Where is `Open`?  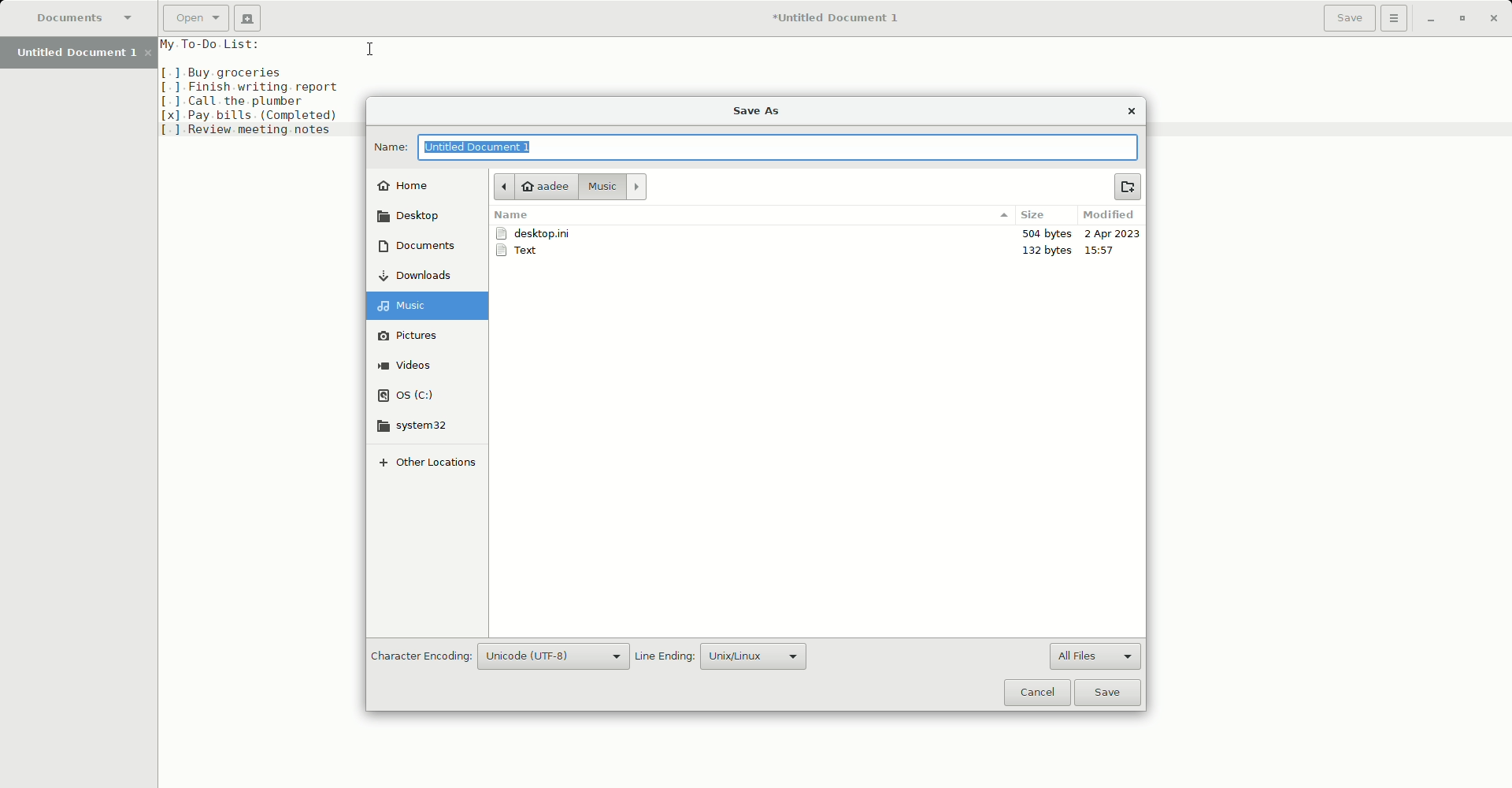 Open is located at coordinates (194, 17).